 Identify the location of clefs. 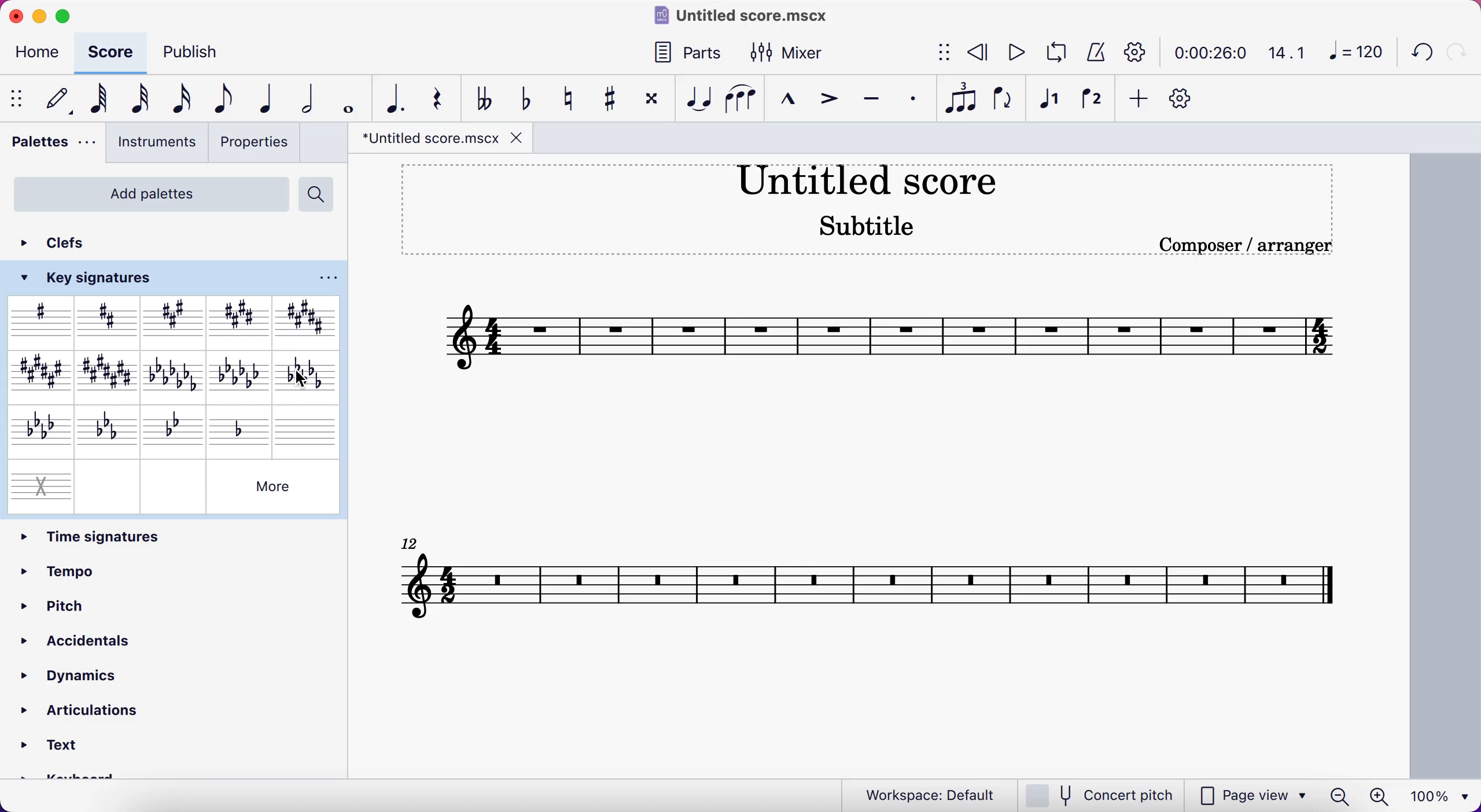
(69, 243).